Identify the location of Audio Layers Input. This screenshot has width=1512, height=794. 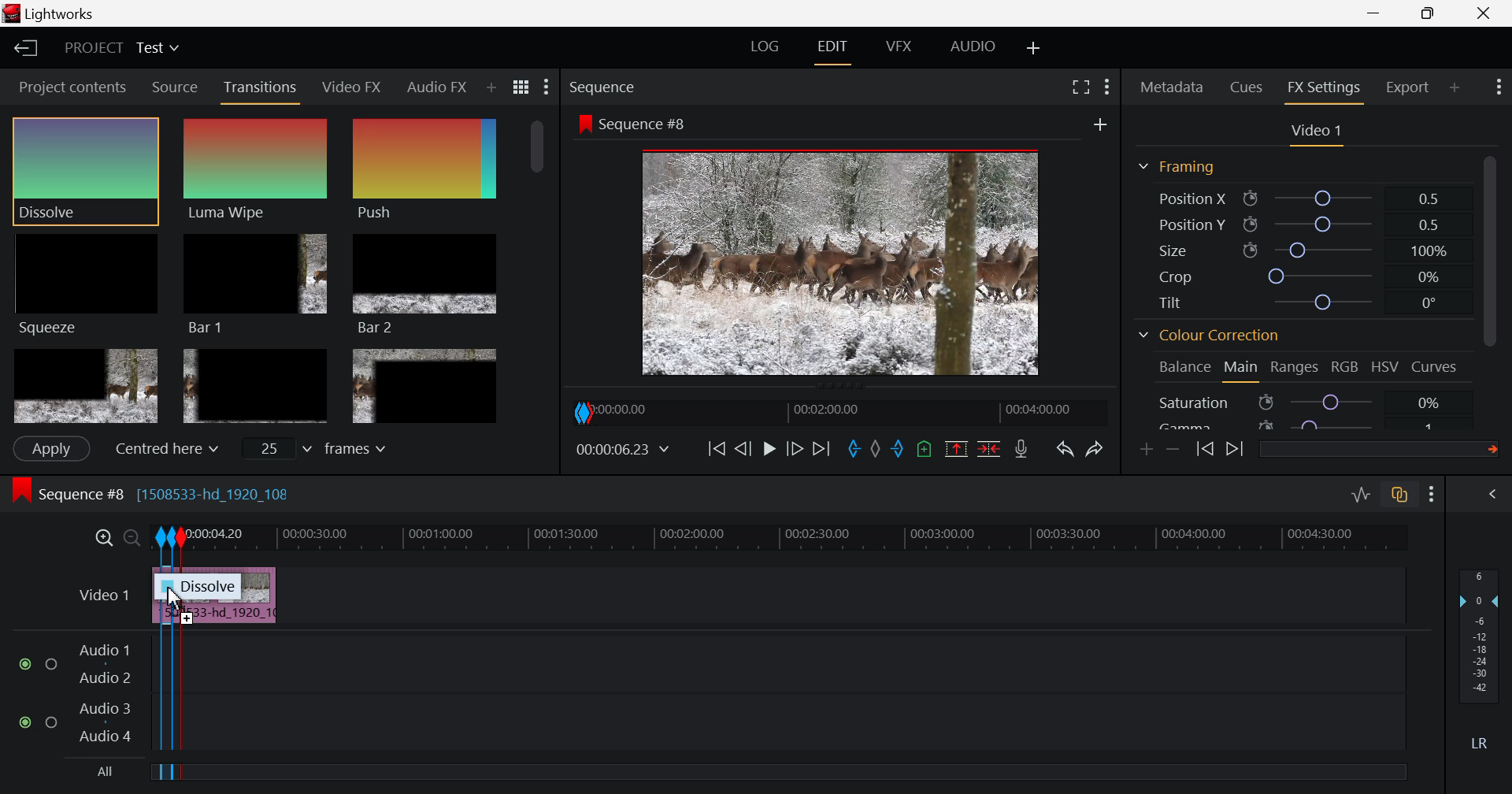
(86, 695).